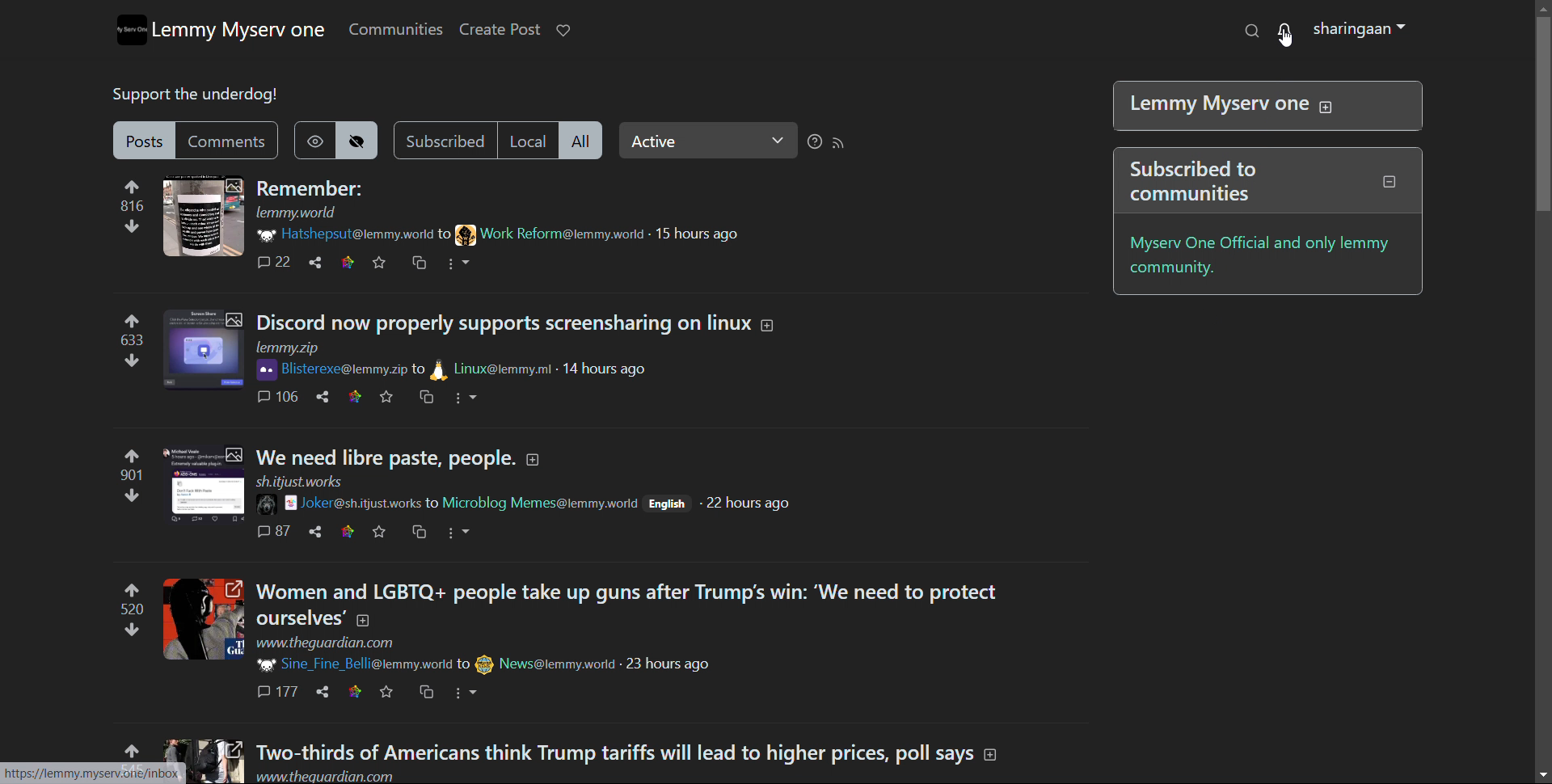  I want to click on save, so click(378, 533).